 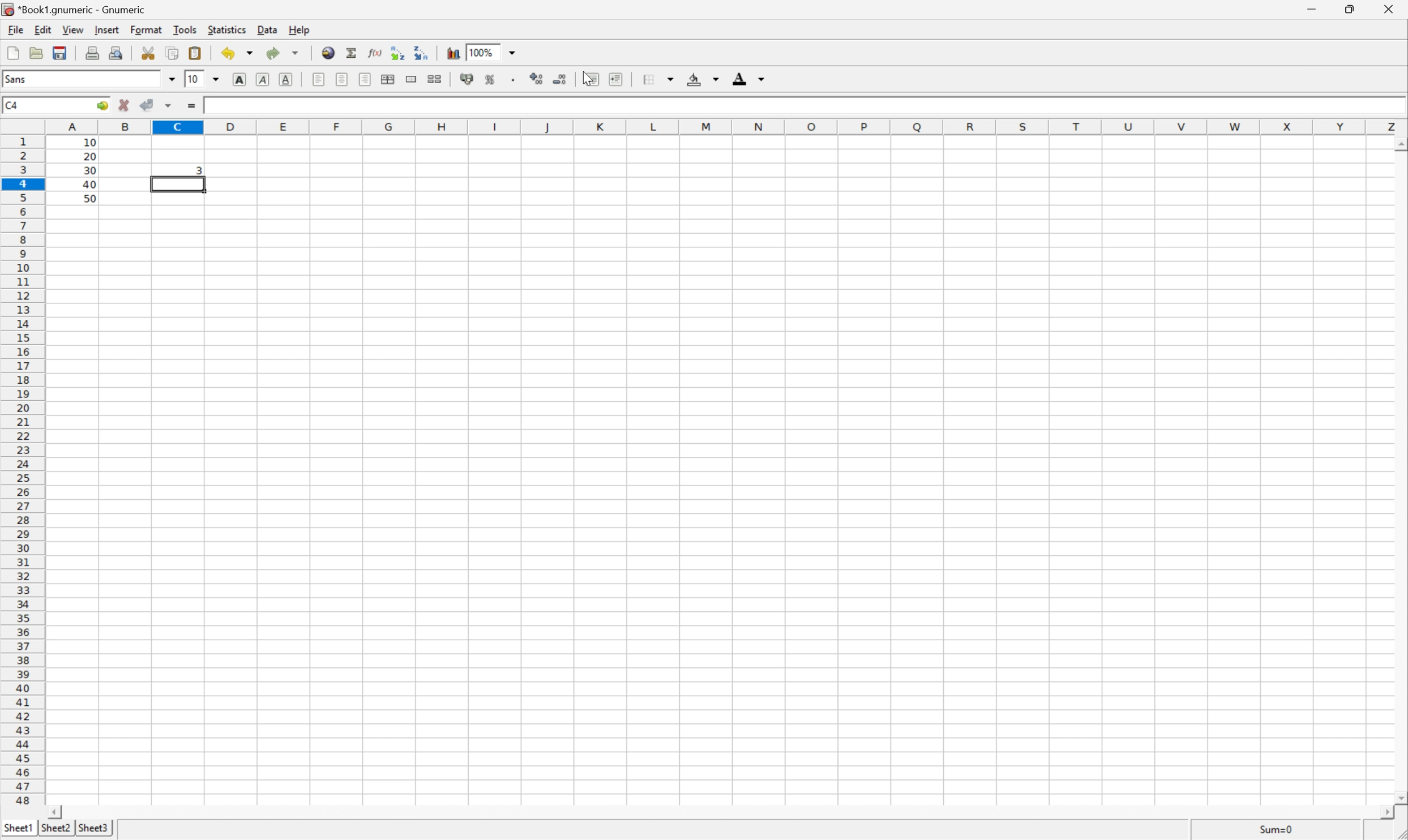 What do you see at coordinates (147, 106) in the screenshot?
I see `Accept change` at bounding box center [147, 106].